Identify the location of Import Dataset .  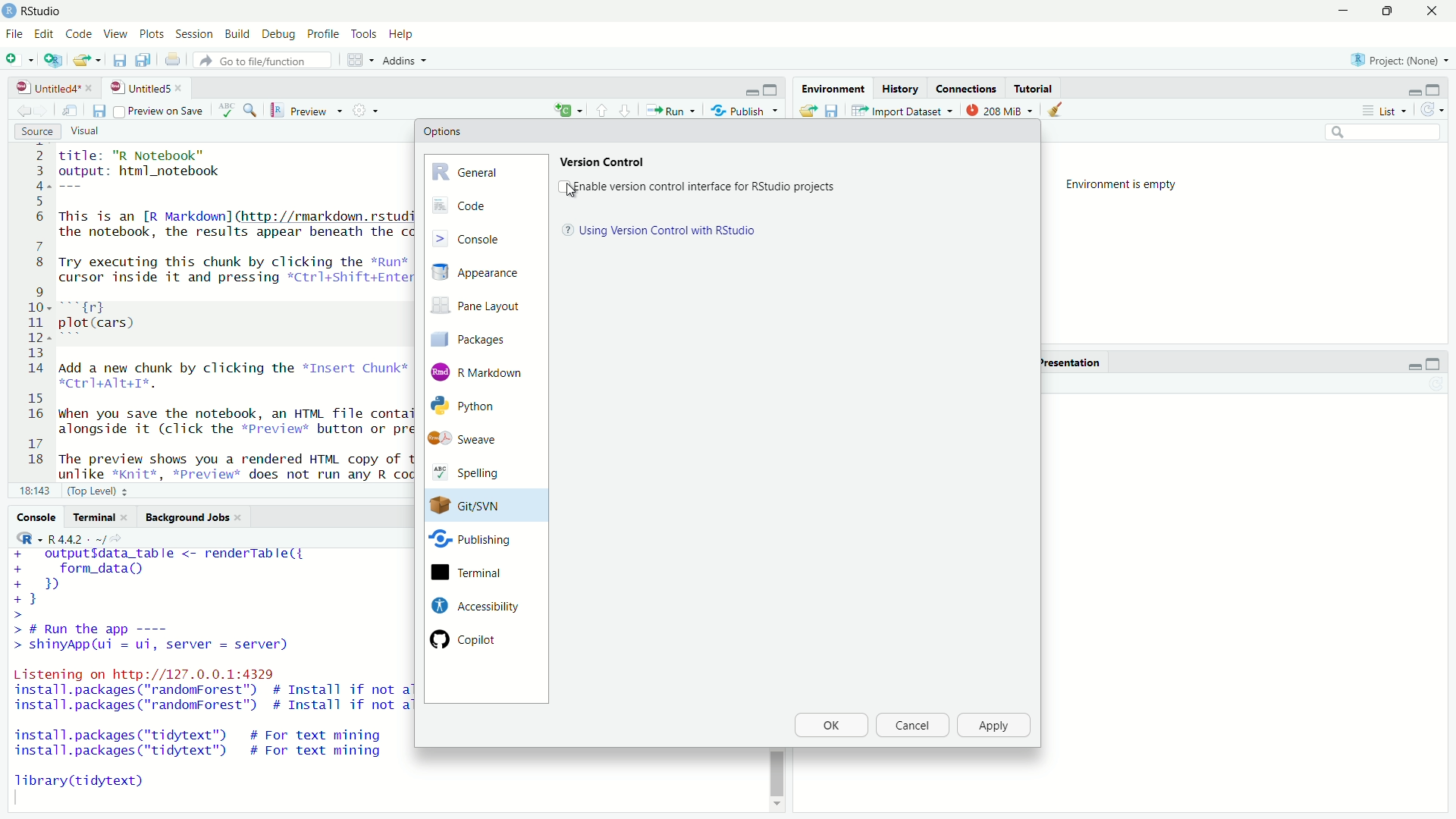
(903, 110).